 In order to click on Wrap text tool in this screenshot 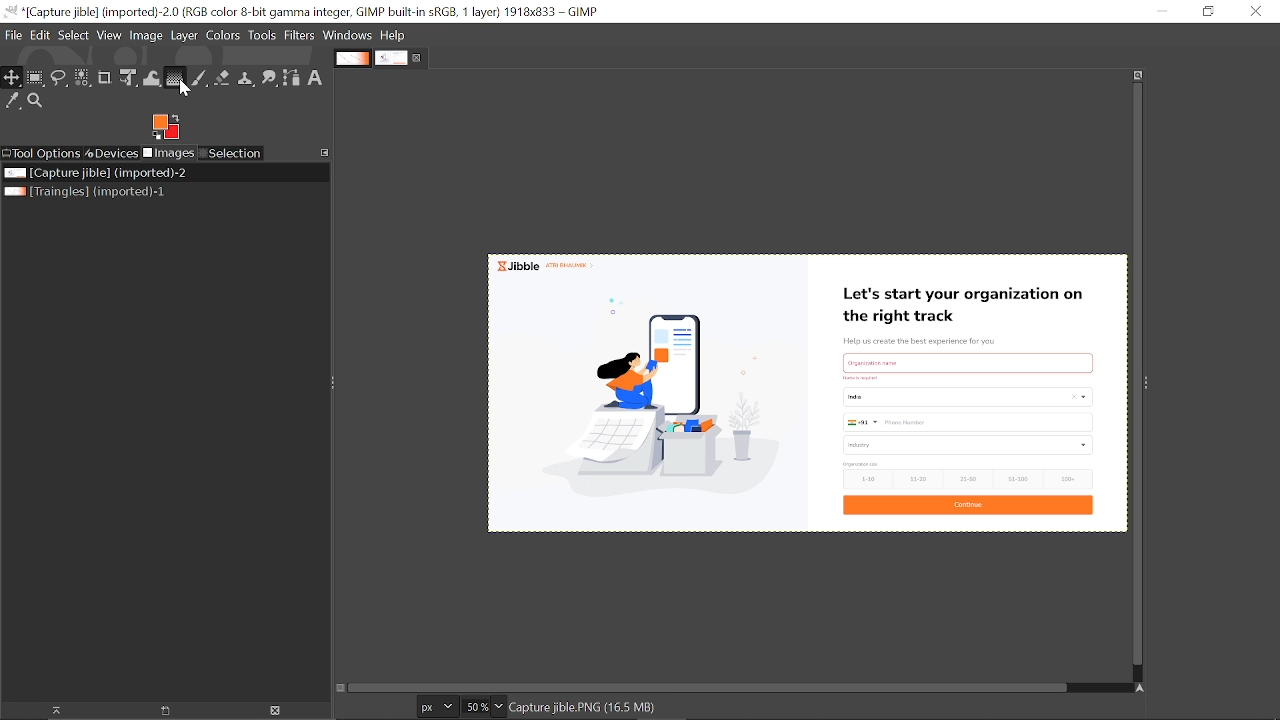, I will do `click(152, 77)`.